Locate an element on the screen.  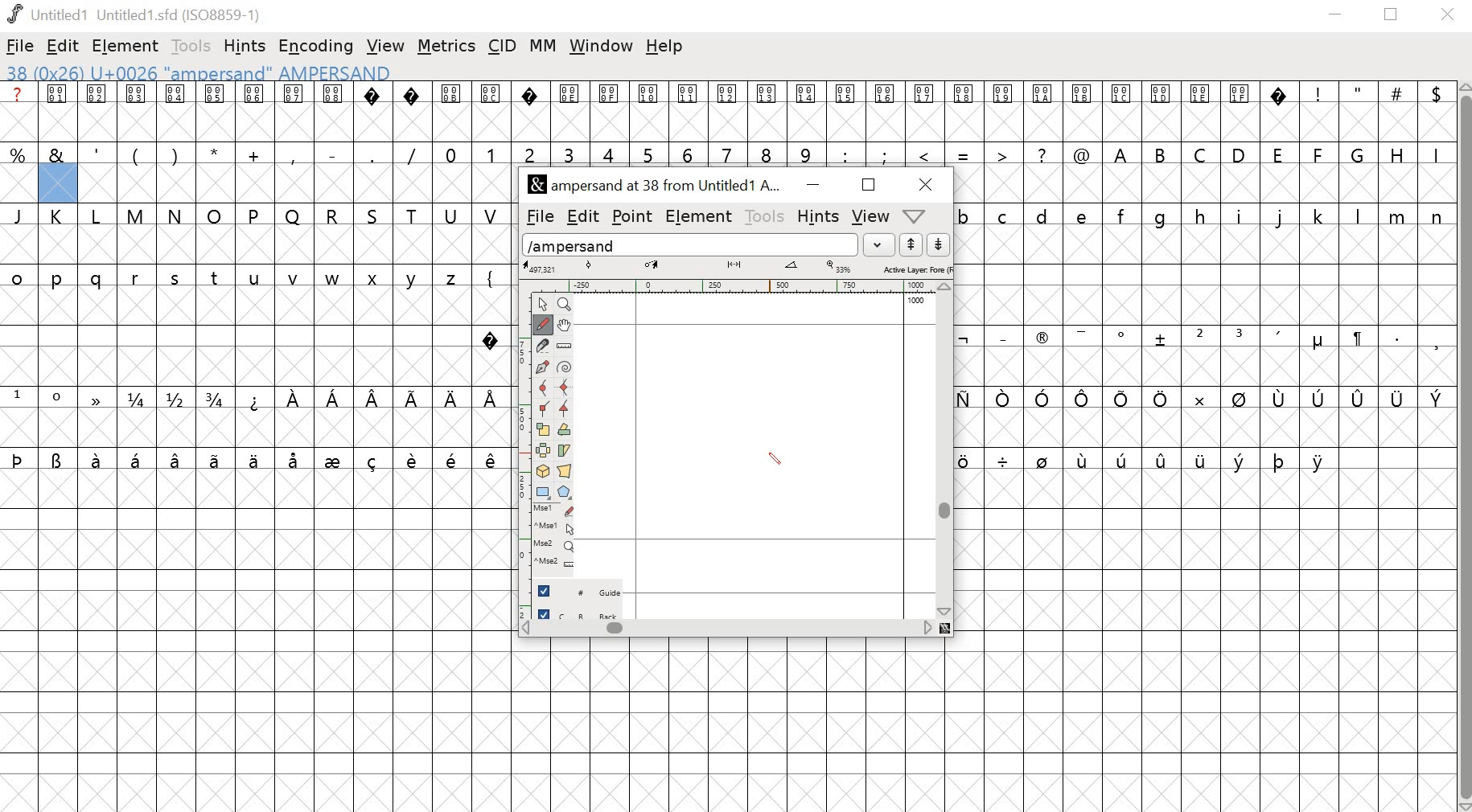
symbol is located at coordinates (376, 399).